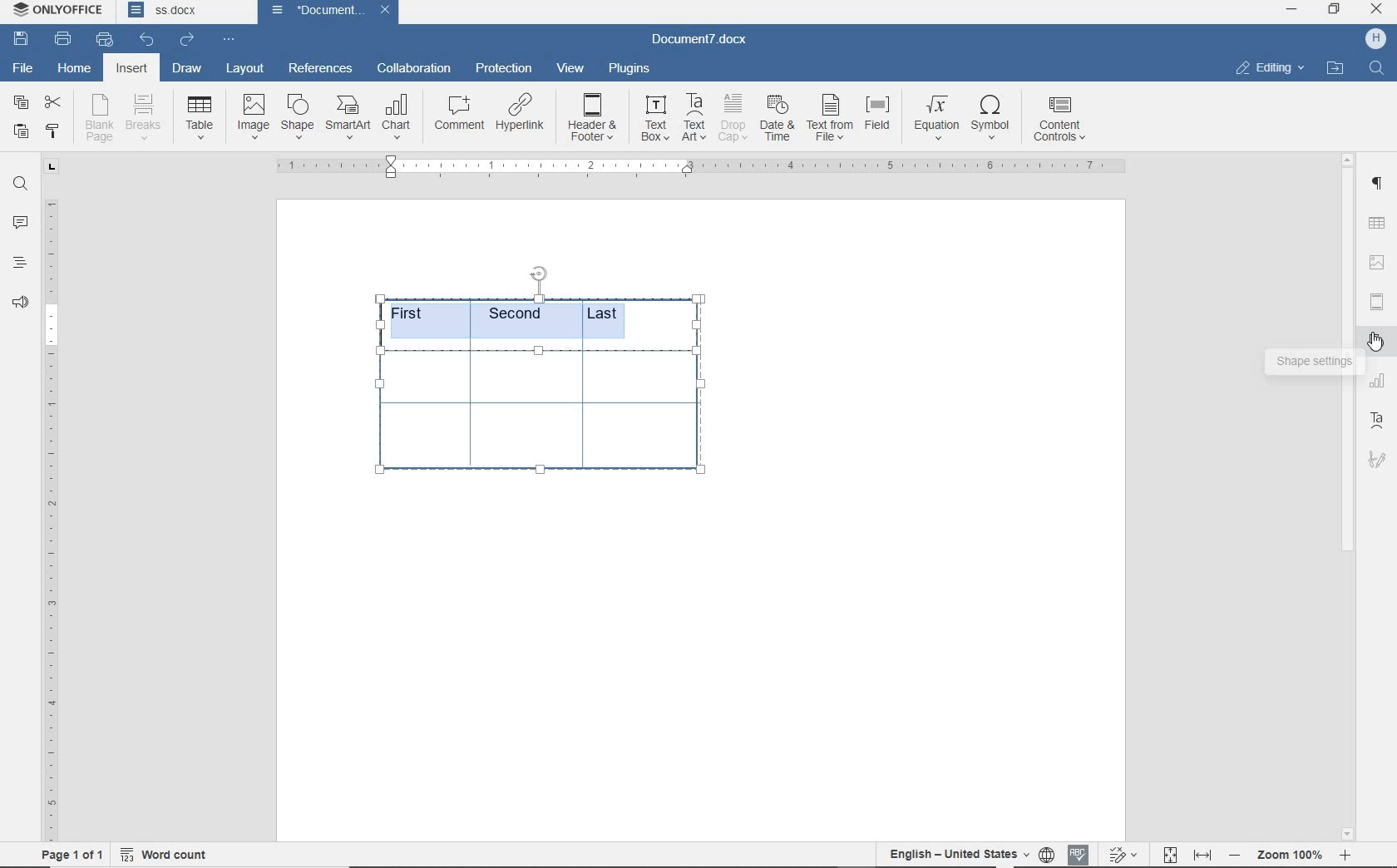 The height and width of the screenshot is (868, 1397). I want to click on symbol, so click(994, 116).